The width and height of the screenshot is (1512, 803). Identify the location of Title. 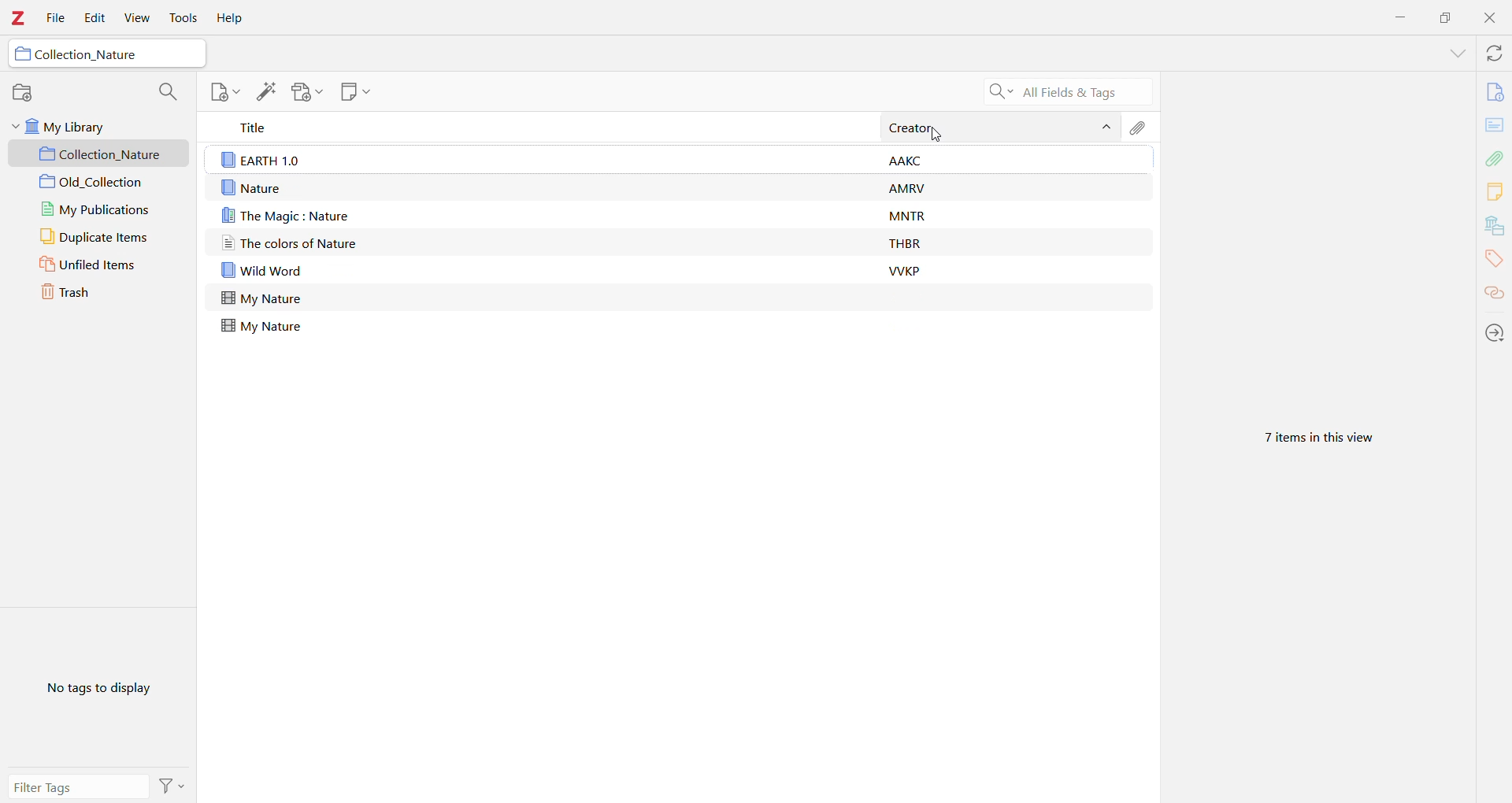
(538, 128).